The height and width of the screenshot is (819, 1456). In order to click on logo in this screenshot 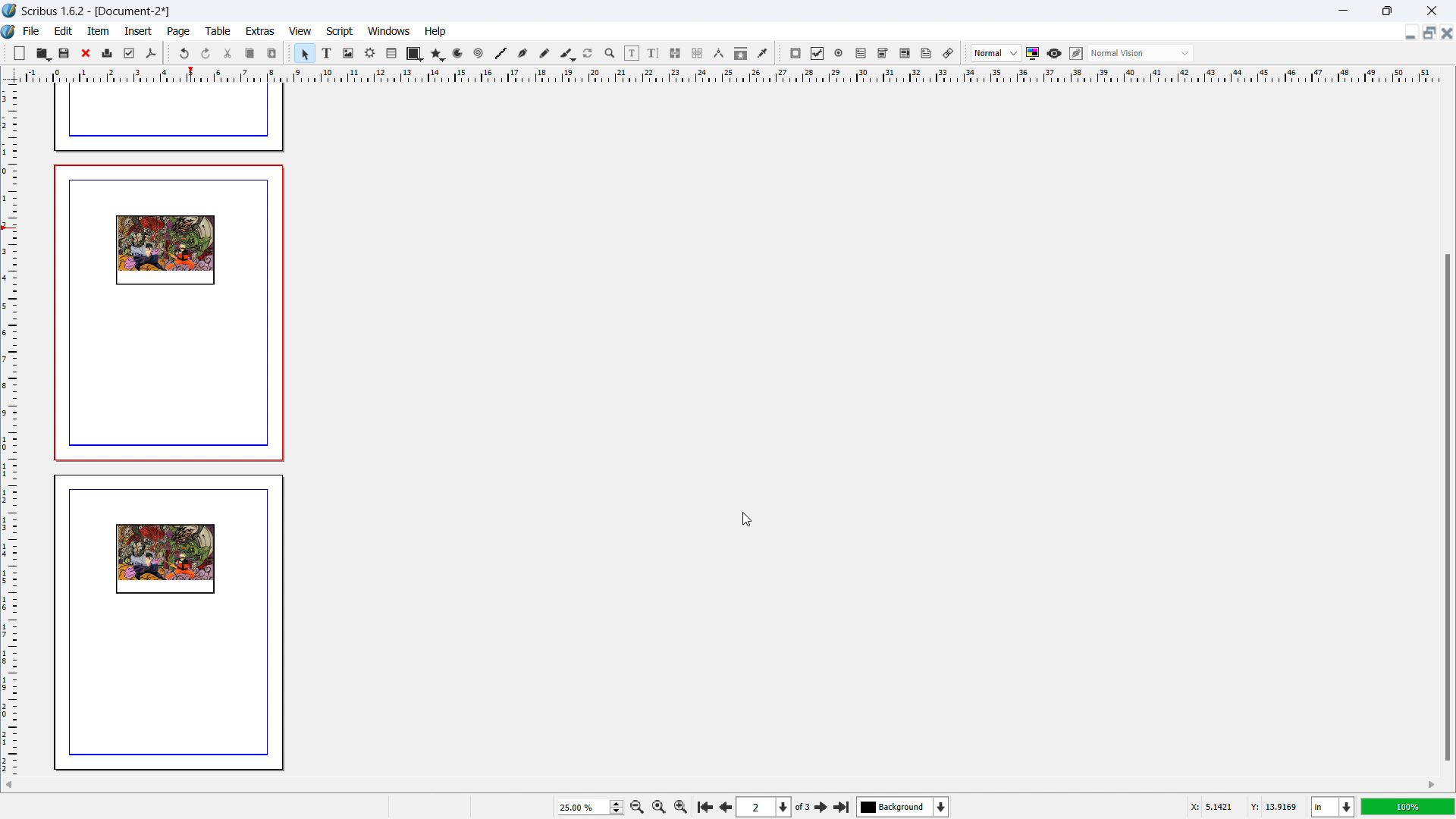, I will do `click(10, 11)`.